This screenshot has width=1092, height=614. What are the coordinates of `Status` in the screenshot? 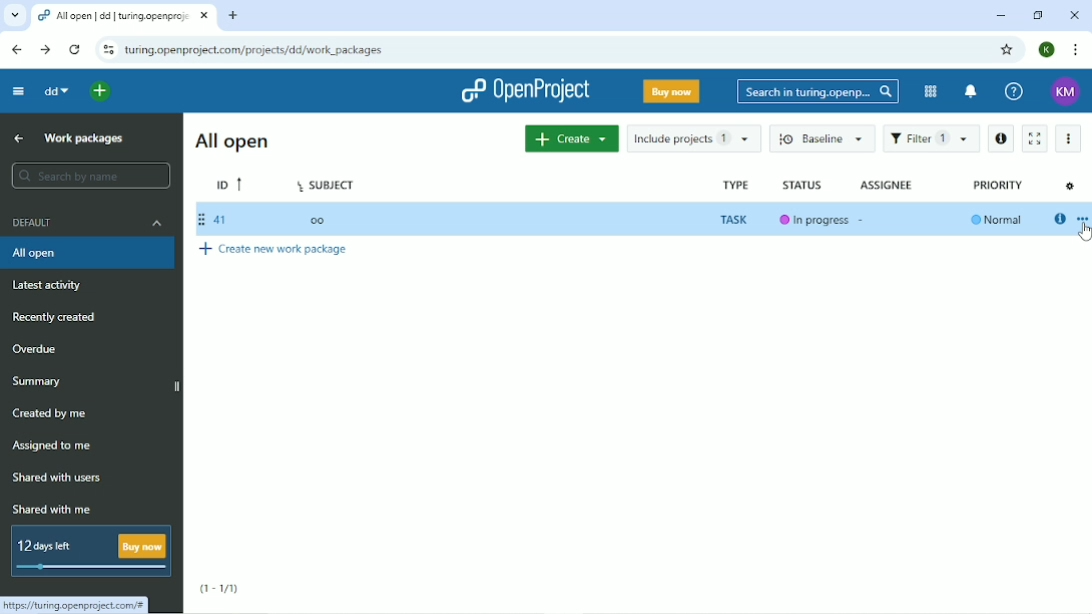 It's located at (803, 185).